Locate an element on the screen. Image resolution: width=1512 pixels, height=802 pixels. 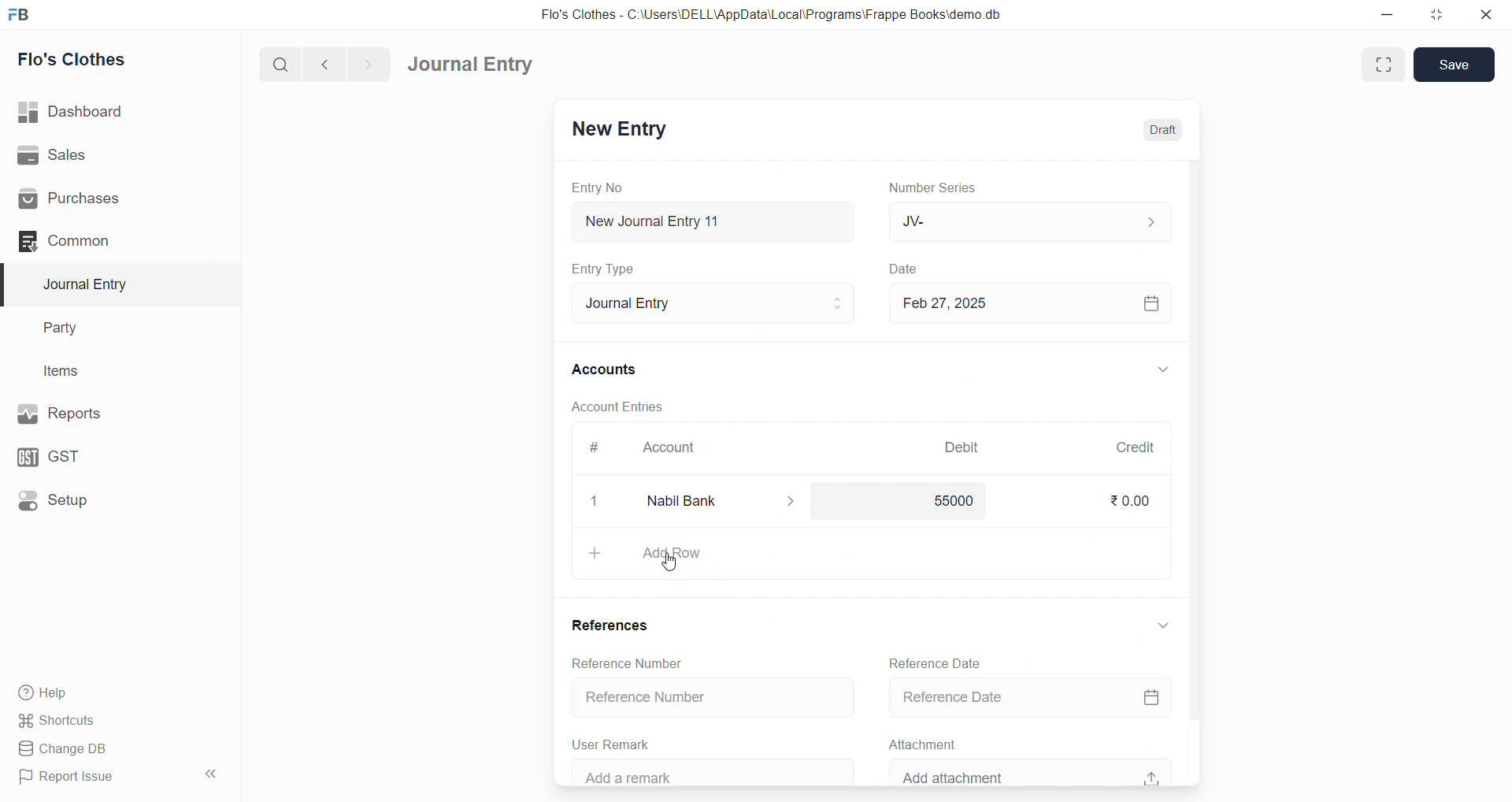
Items is located at coordinates (67, 370).